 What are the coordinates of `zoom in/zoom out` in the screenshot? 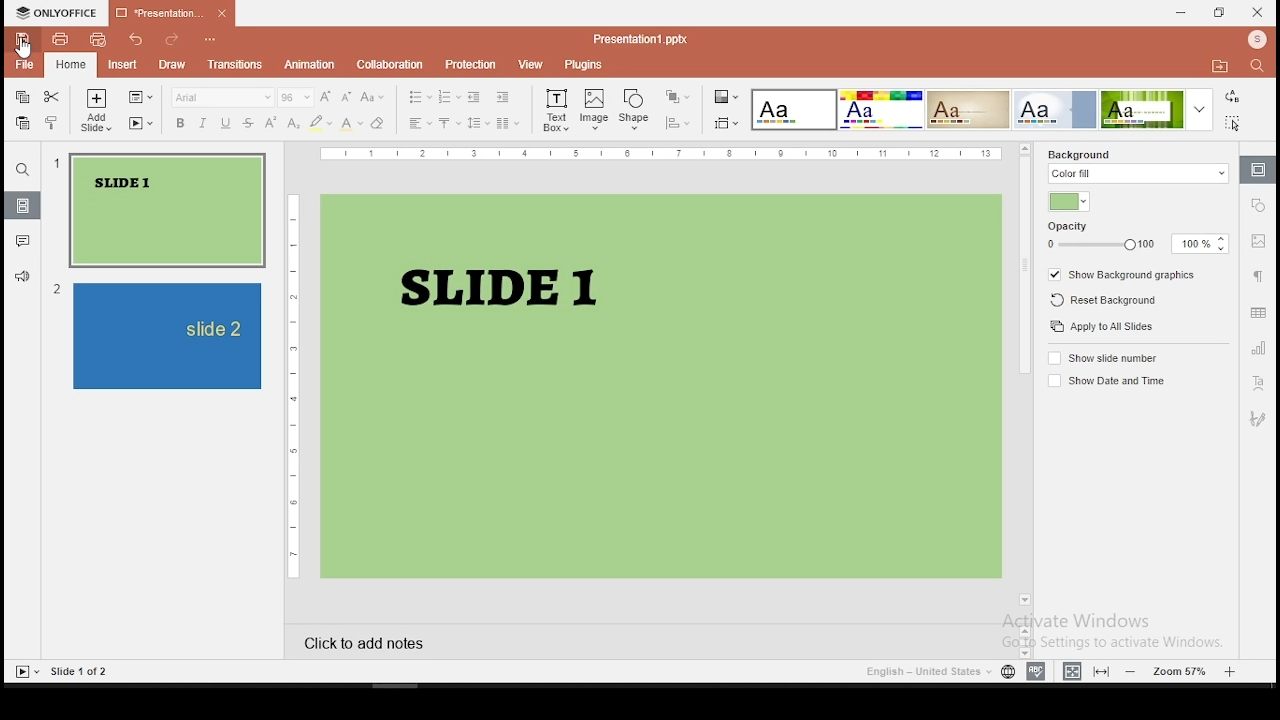 It's located at (1182, 669).